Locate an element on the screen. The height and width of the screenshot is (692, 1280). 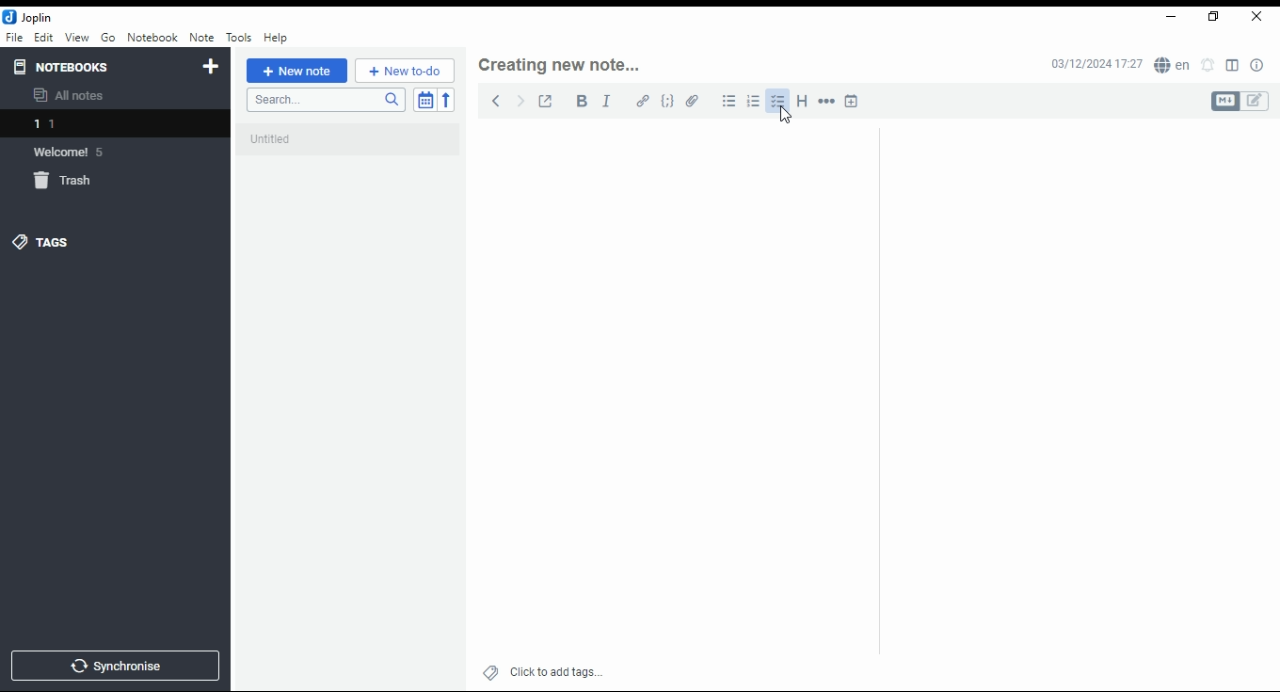
attach file is located at coordinates (691, 102).